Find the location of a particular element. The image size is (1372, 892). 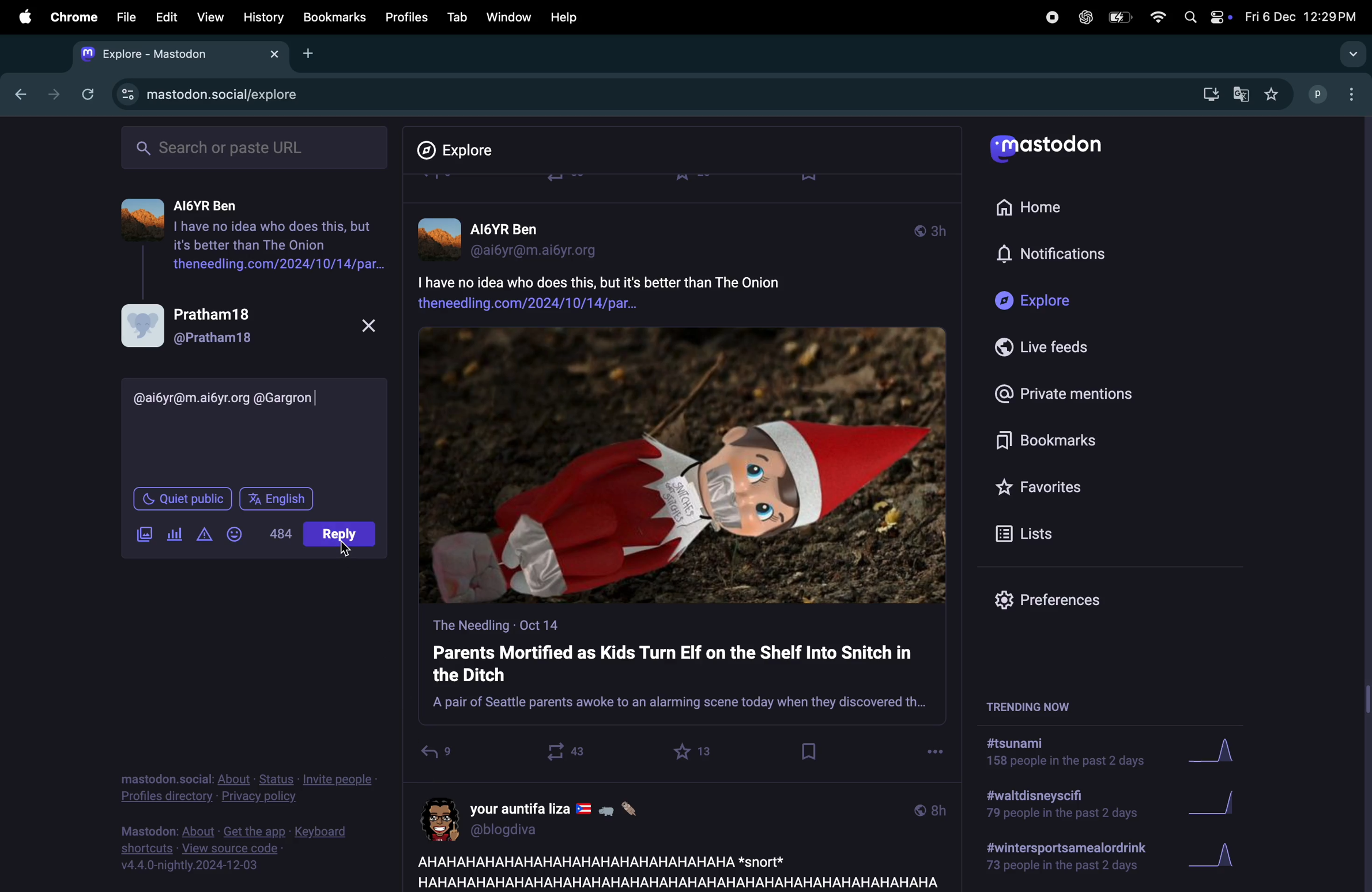

#walt disney is located at coordinates (1058, 808).